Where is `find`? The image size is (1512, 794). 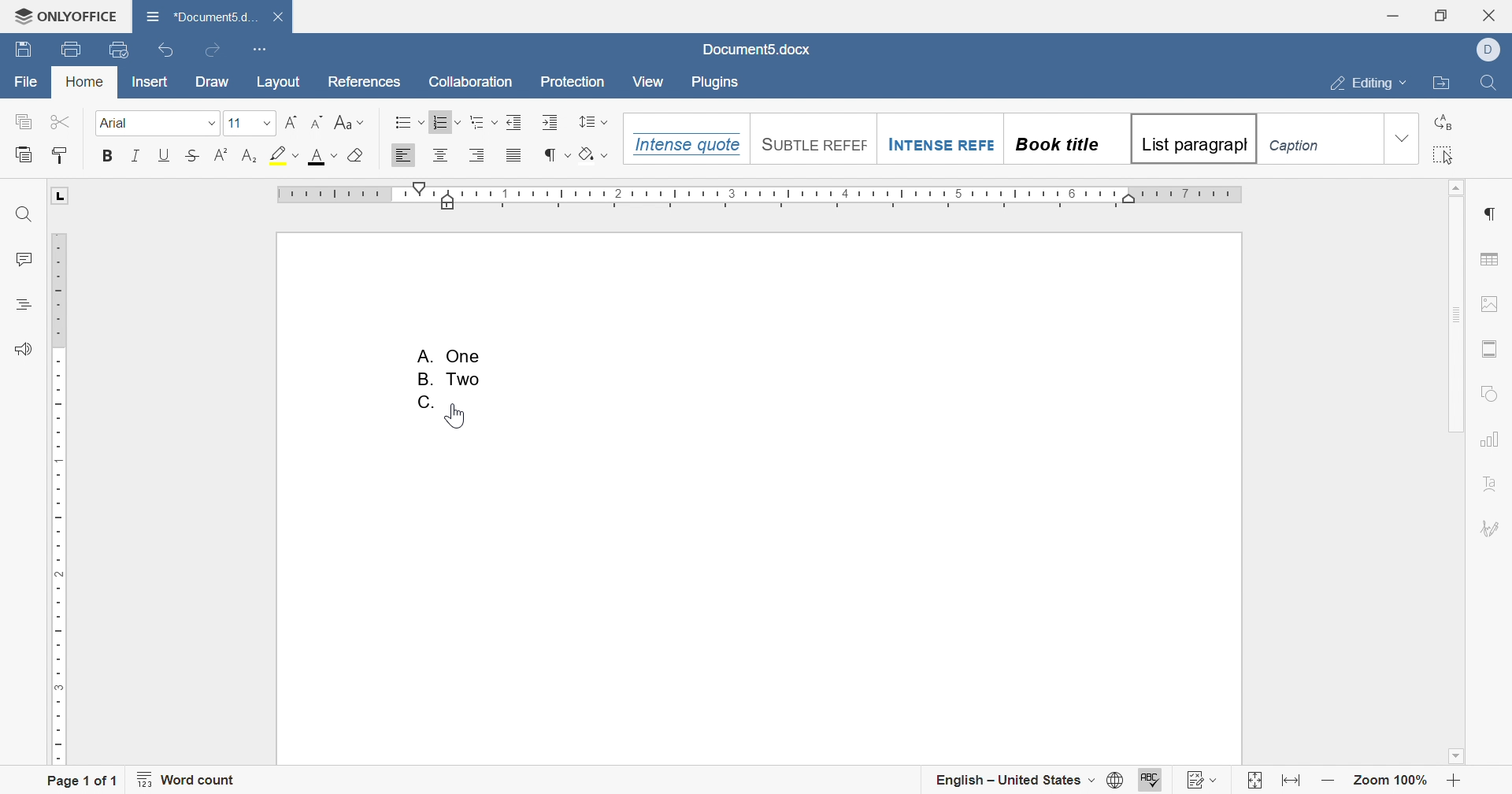
find is located at coordinates (1495, 83).